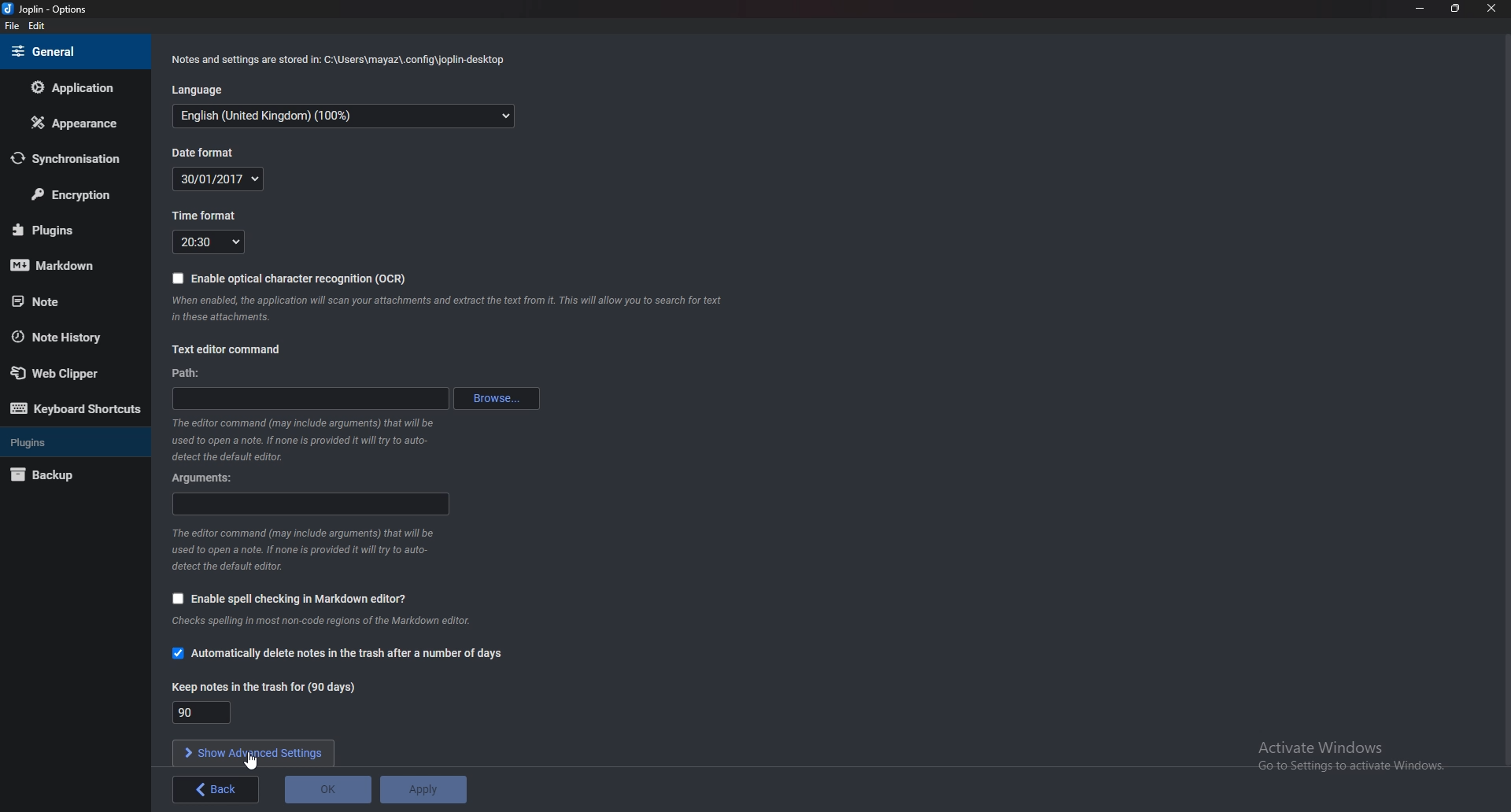 The height and width of the screenshot is (812, 1511). Describe the element at coordinates (190, 375) in the screenshot. I see `path` at that location.